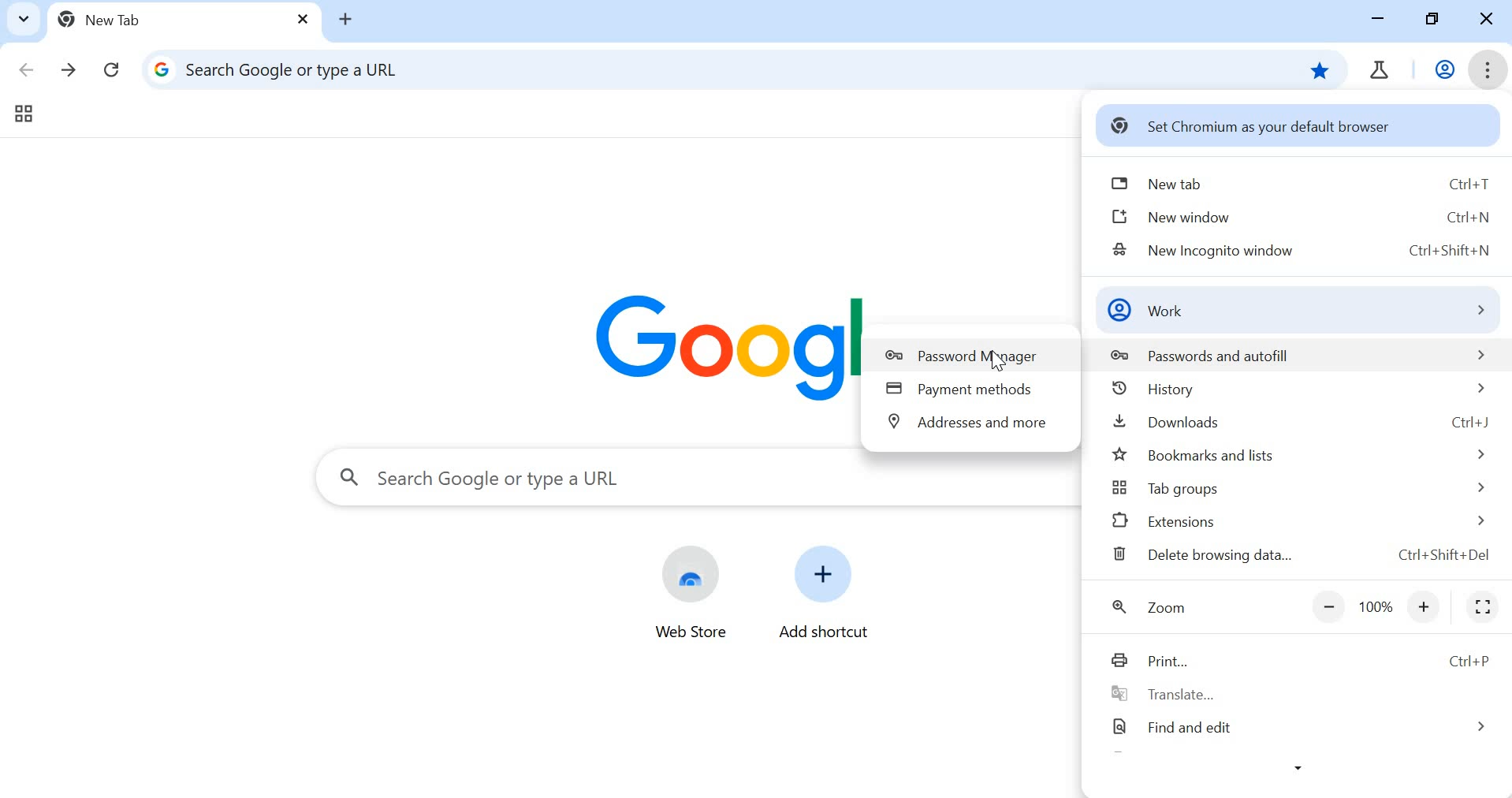  Describe the element at coordinates (966, 391) in the screenshot. I see `payment methods` at that location.